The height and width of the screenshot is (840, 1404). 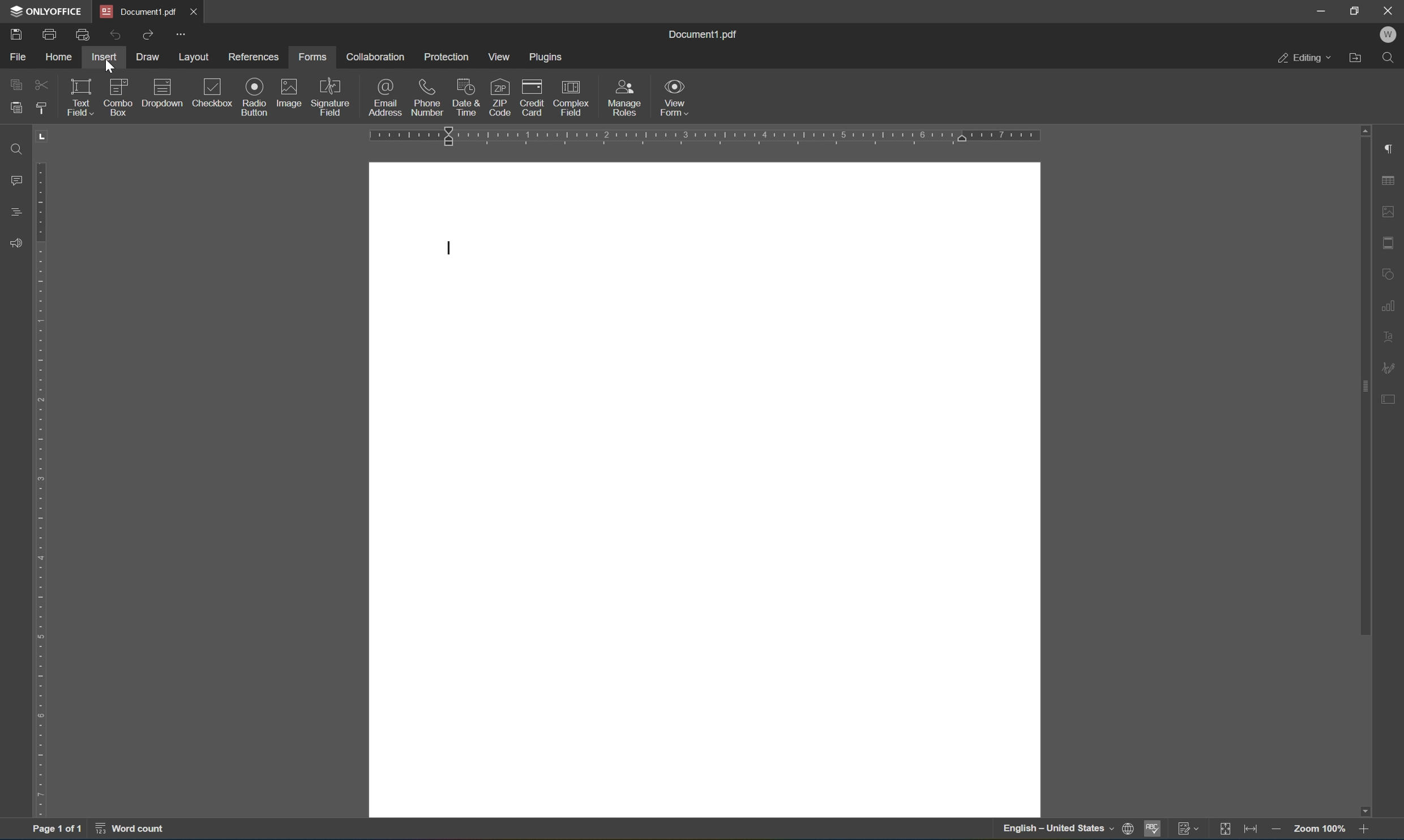 I want to click on radio button, so click(x=255, y=97).